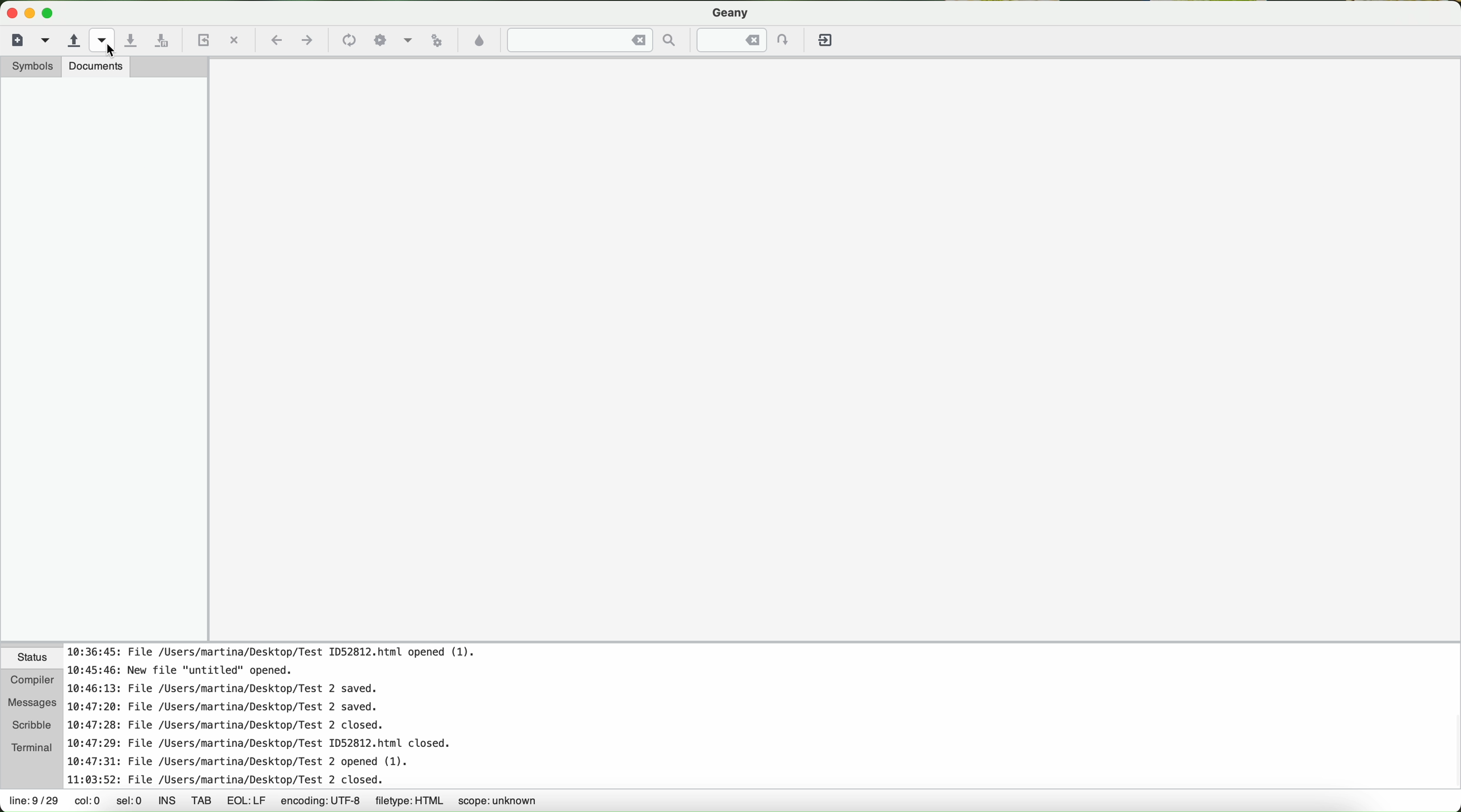 The image size is (1461, 812). I want to click on open an existing file, so click(73, 42).